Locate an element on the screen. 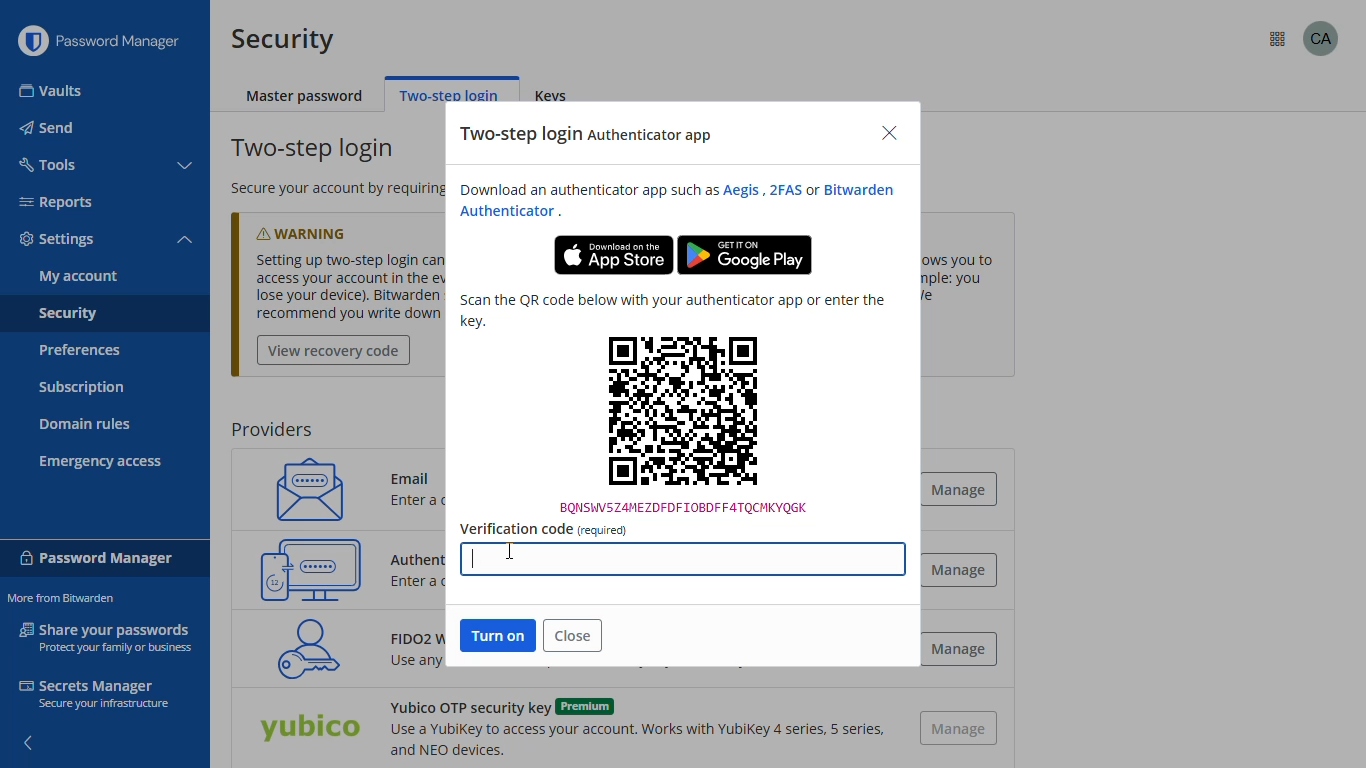  Yubico OTP security key (Premium) is located at coordinates (309, 730).